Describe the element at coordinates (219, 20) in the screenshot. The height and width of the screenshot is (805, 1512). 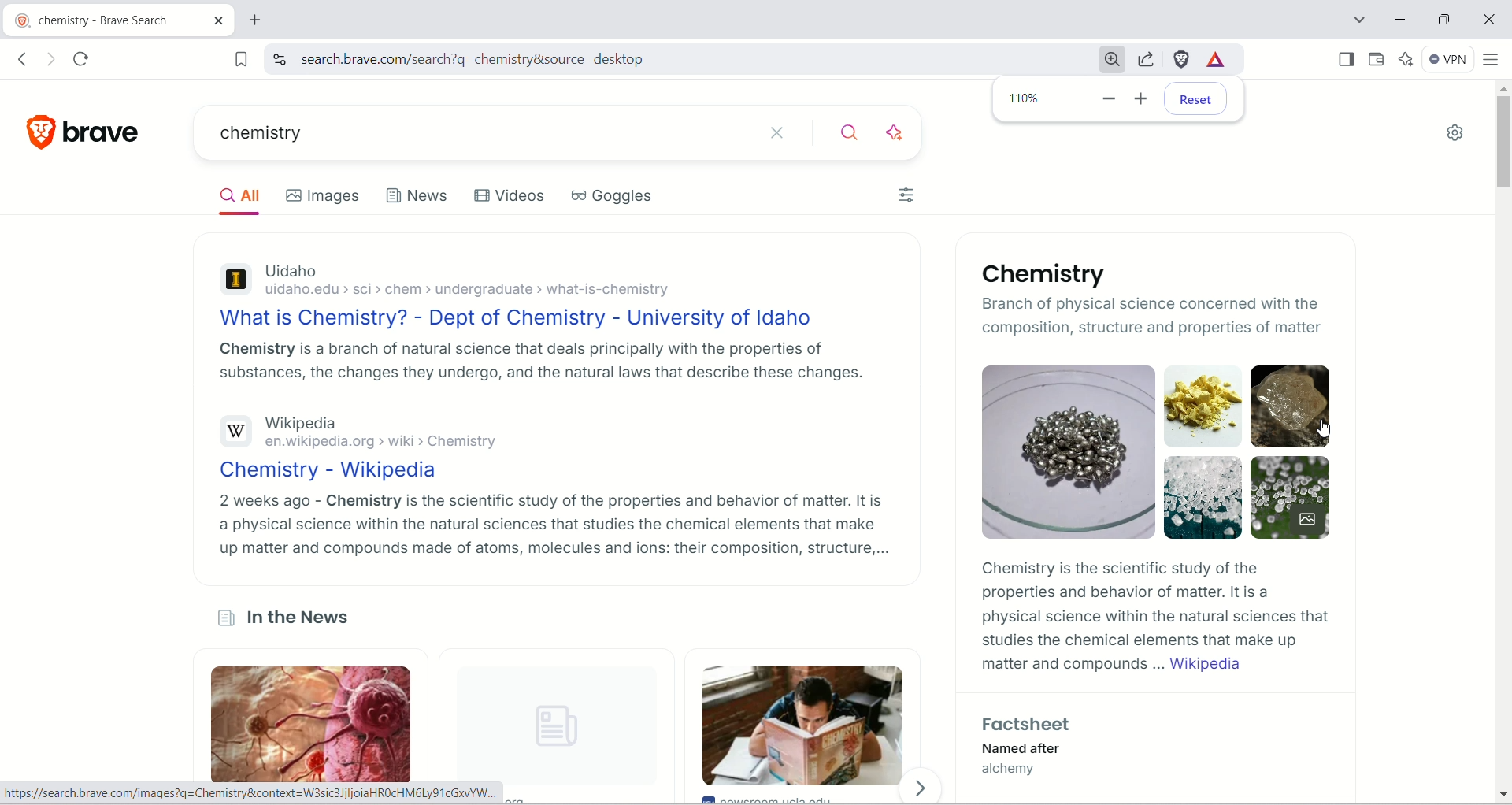
I see `close` at that location.